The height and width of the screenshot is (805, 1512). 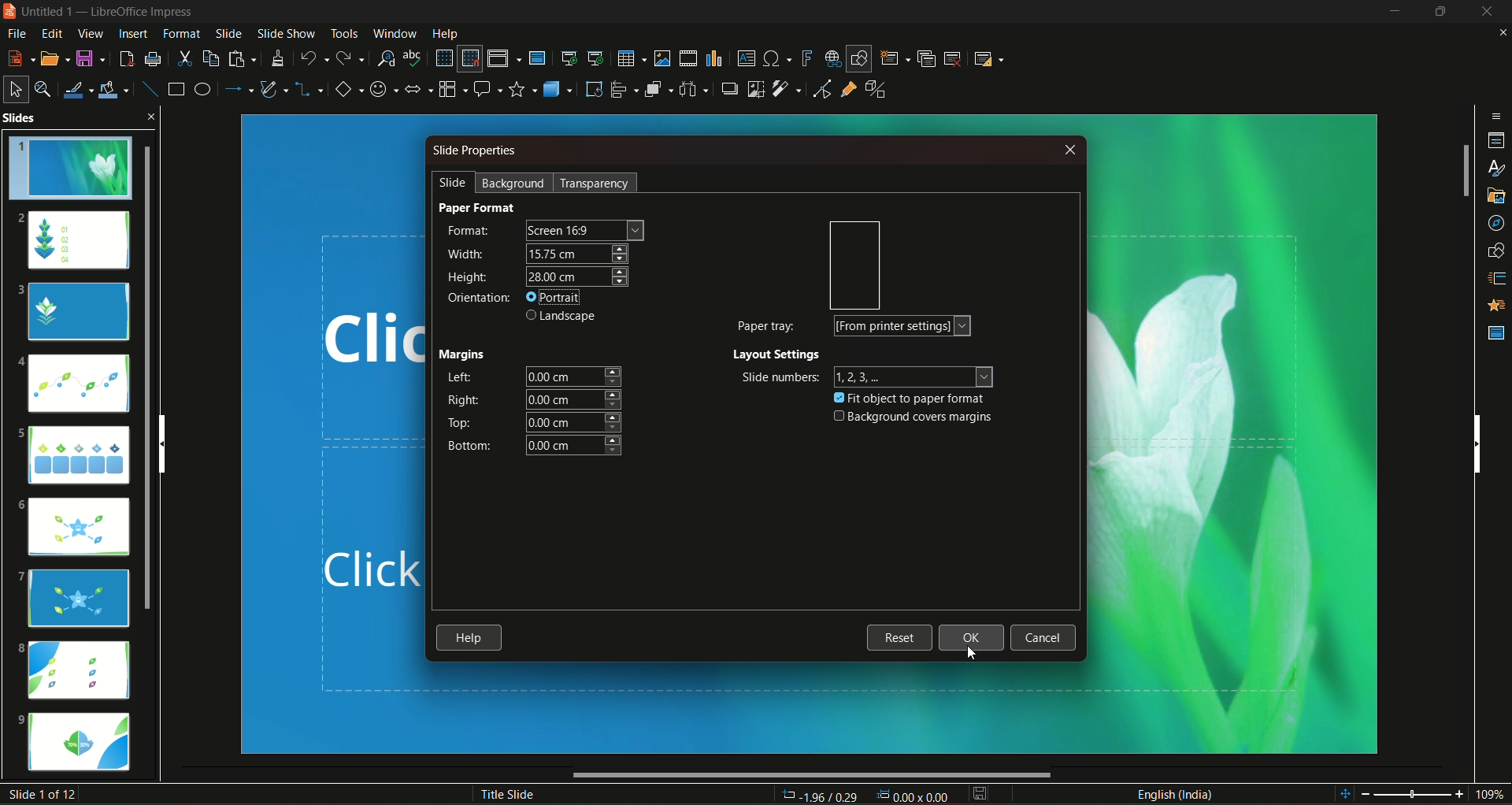 What do you see at coordinates (623, 90) in the screenshot?
I see `align objects` at bounding box center [623, 90].